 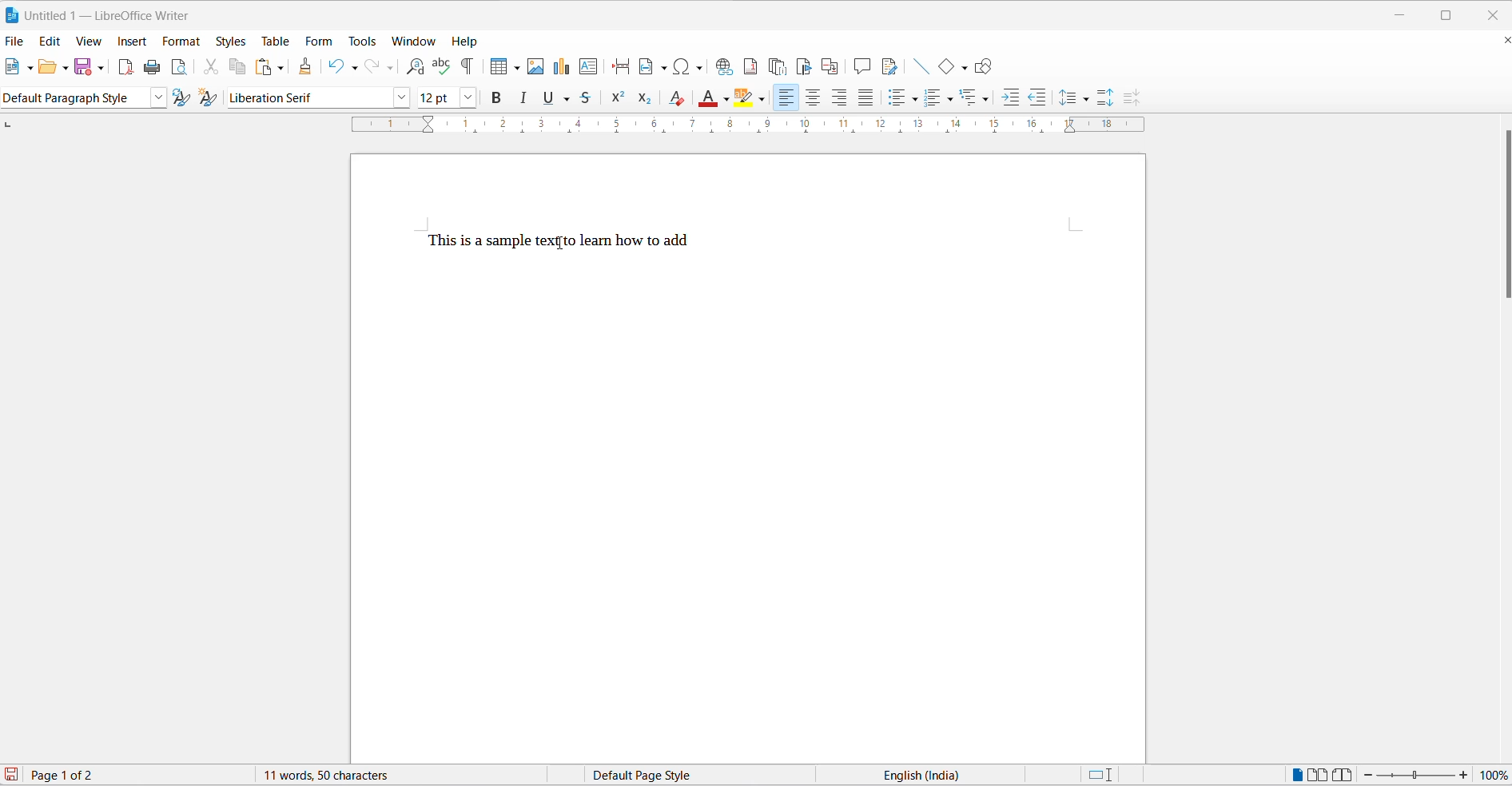 What do you see at coordinates (831, 65) in the screenshot?
I see `insert cross reference` at bounding box center [831, 65].